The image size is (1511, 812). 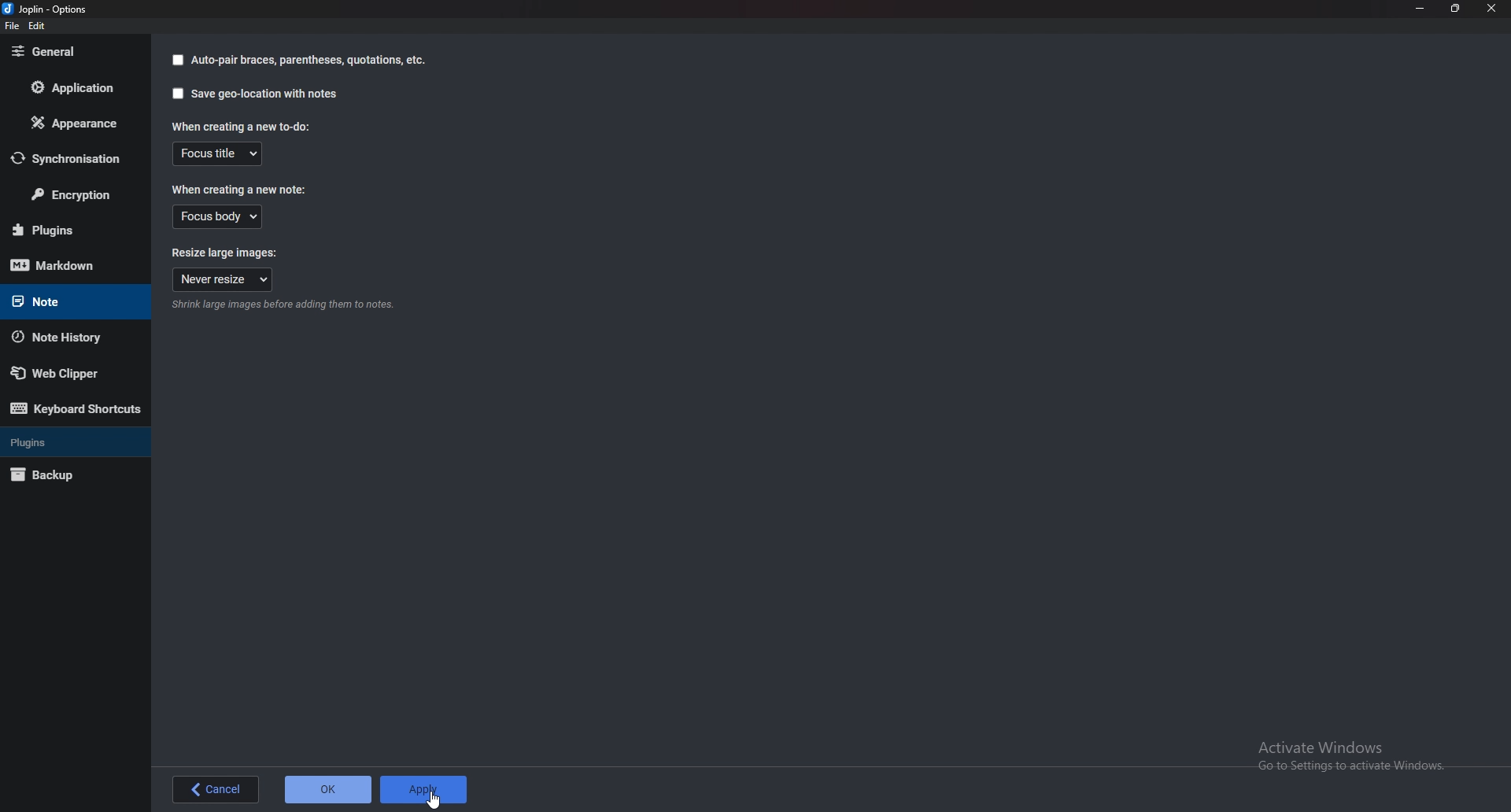 I want to click on Focus title, so click(x=217, y=153).